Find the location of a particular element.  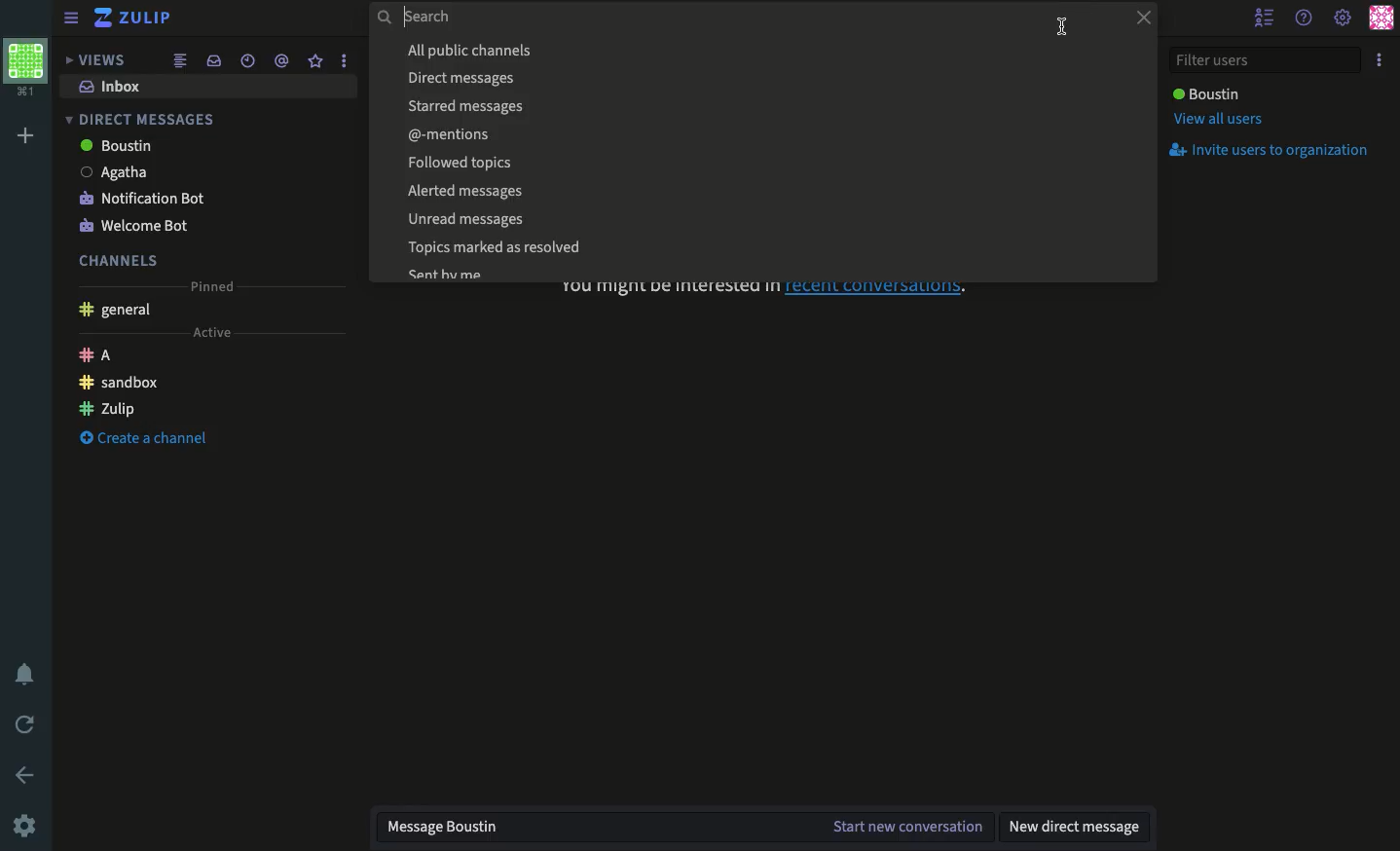

all public channels is located at coordinates (765, 51).